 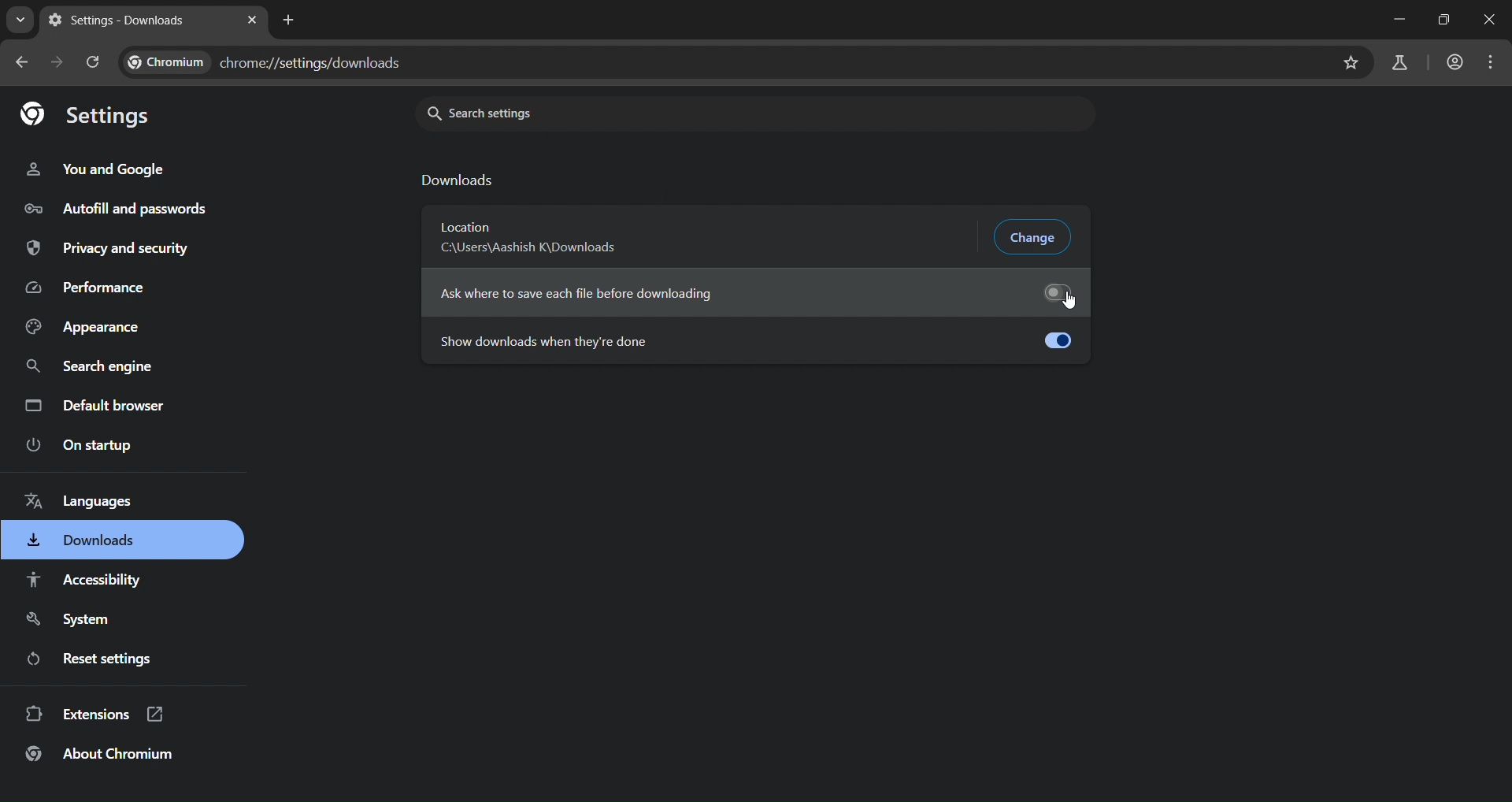 I want to click on system, so click(x=65, y=620).